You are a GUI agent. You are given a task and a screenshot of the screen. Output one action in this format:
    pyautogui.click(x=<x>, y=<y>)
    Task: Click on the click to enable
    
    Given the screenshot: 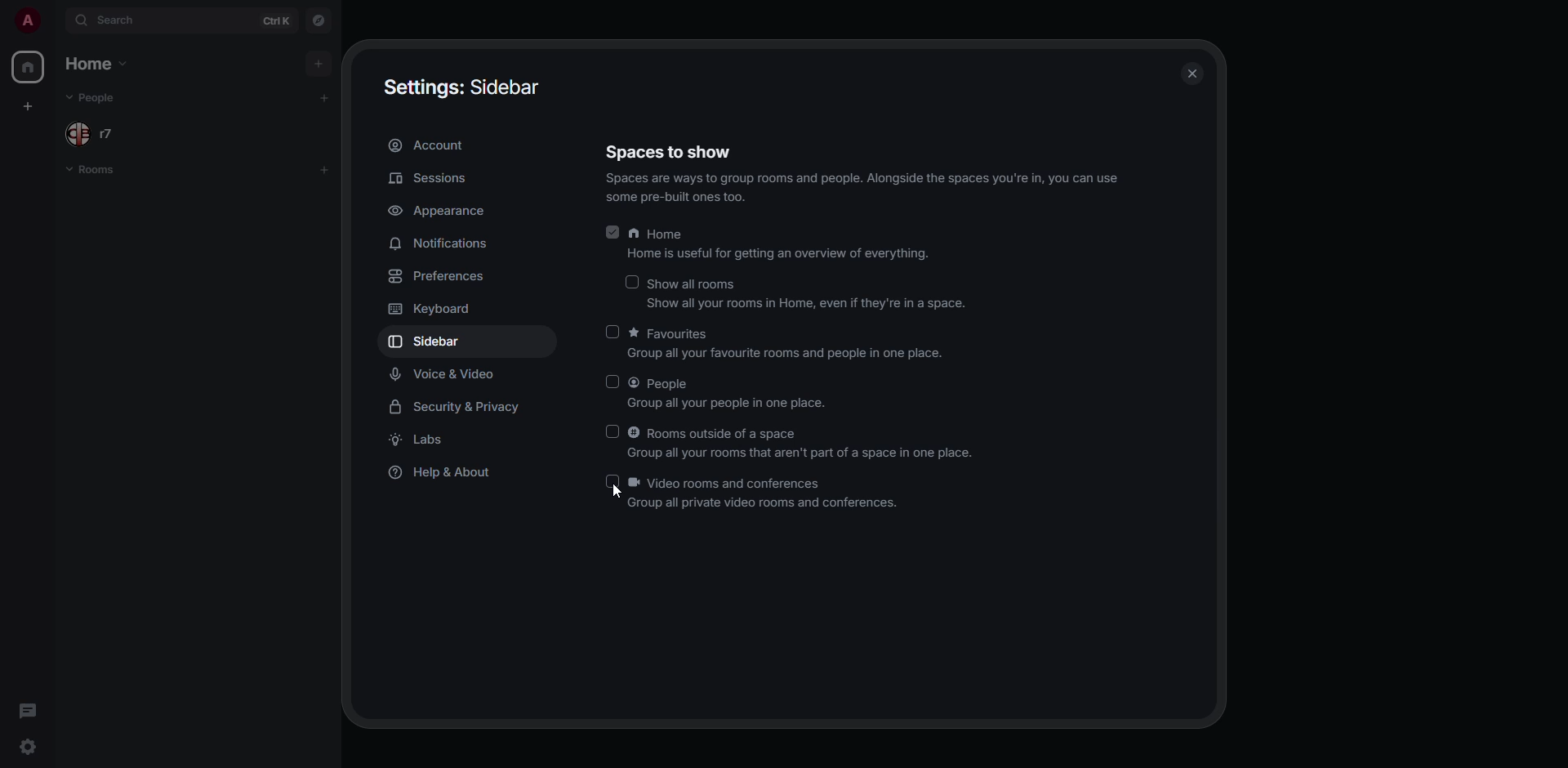 What is the action you would take?
    pyautogui.click(x=612, y=382)
    